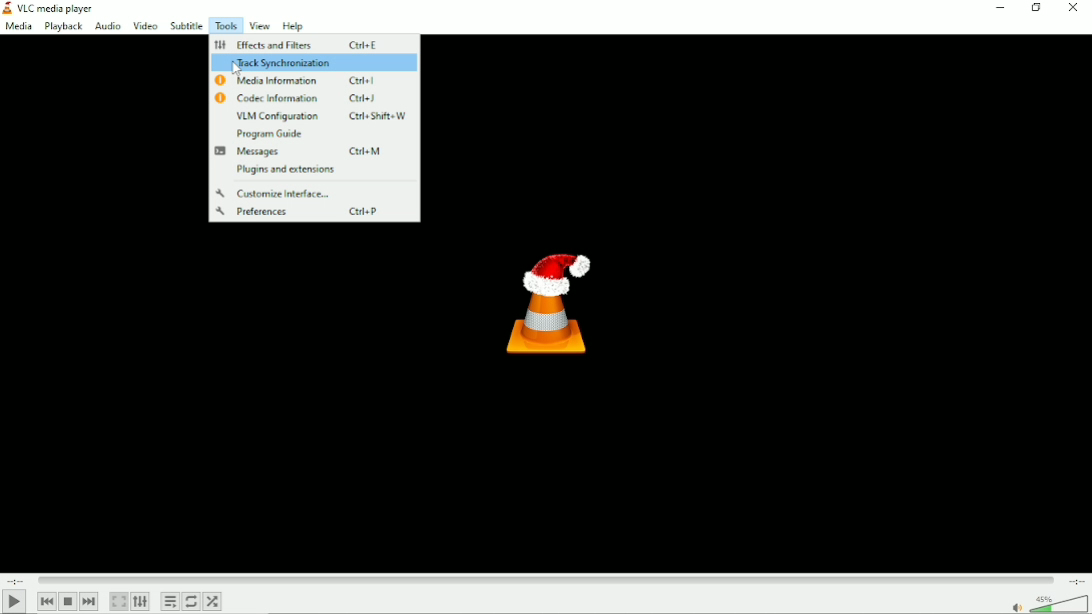 The image size is (1092, 614). What do you see at coordinates (294, 26) in the screenshot?
I see `Help` at bounding box center [294, 26].